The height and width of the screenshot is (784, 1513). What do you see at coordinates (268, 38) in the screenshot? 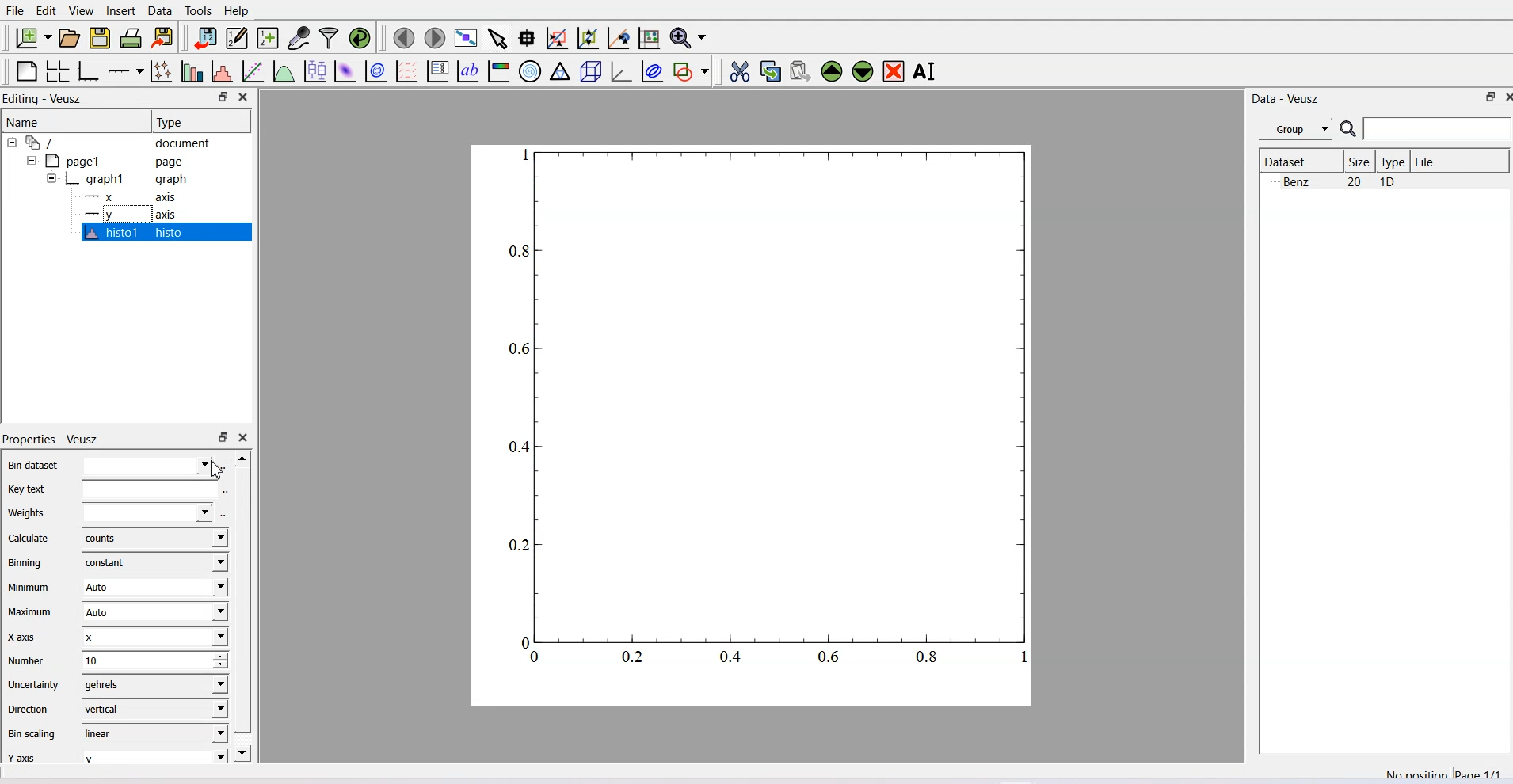
I see `Create a new dataset` at bounding box center [268, 38].